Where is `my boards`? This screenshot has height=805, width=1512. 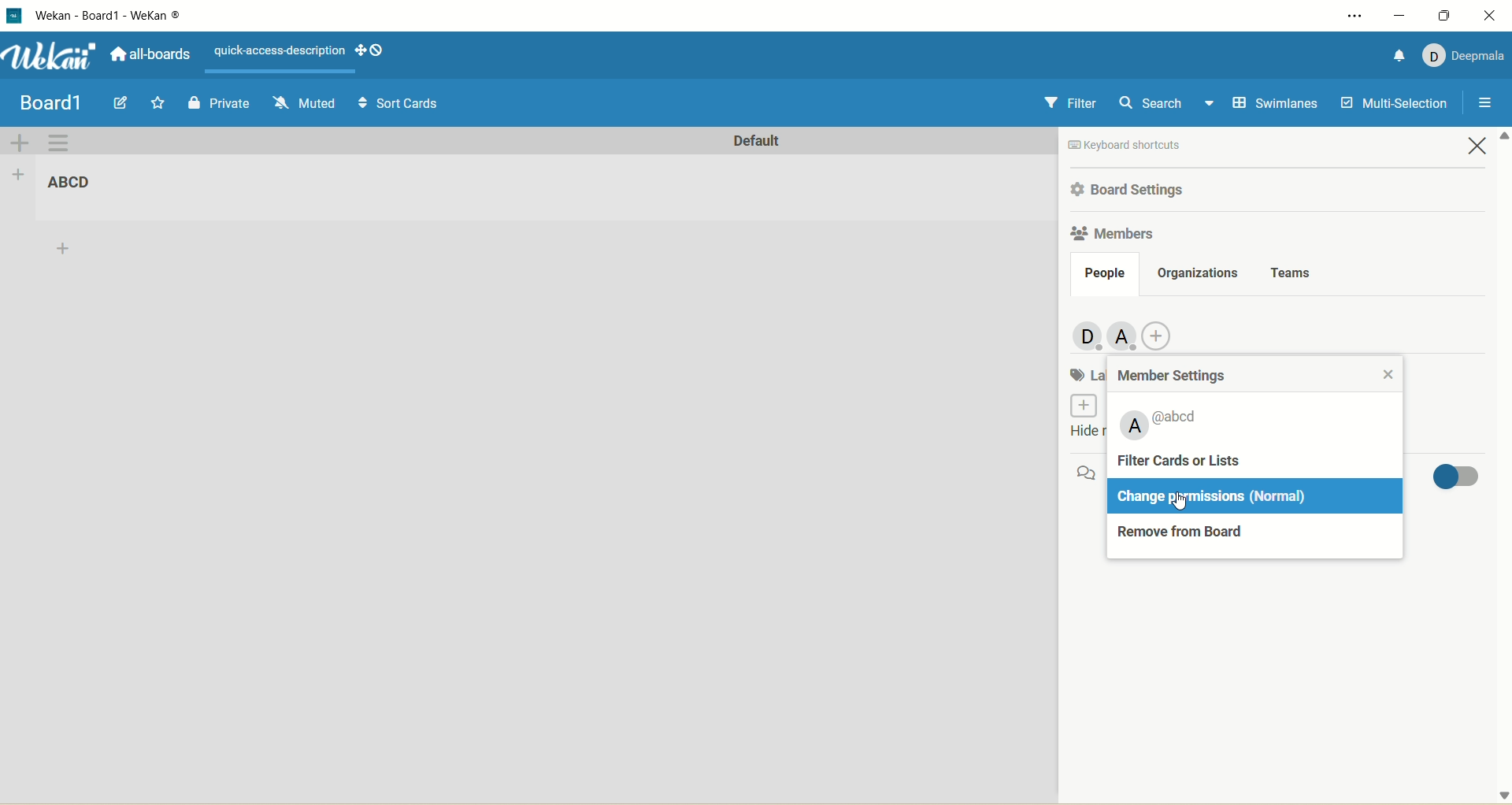 my boards is located at coordinates (68, 100).